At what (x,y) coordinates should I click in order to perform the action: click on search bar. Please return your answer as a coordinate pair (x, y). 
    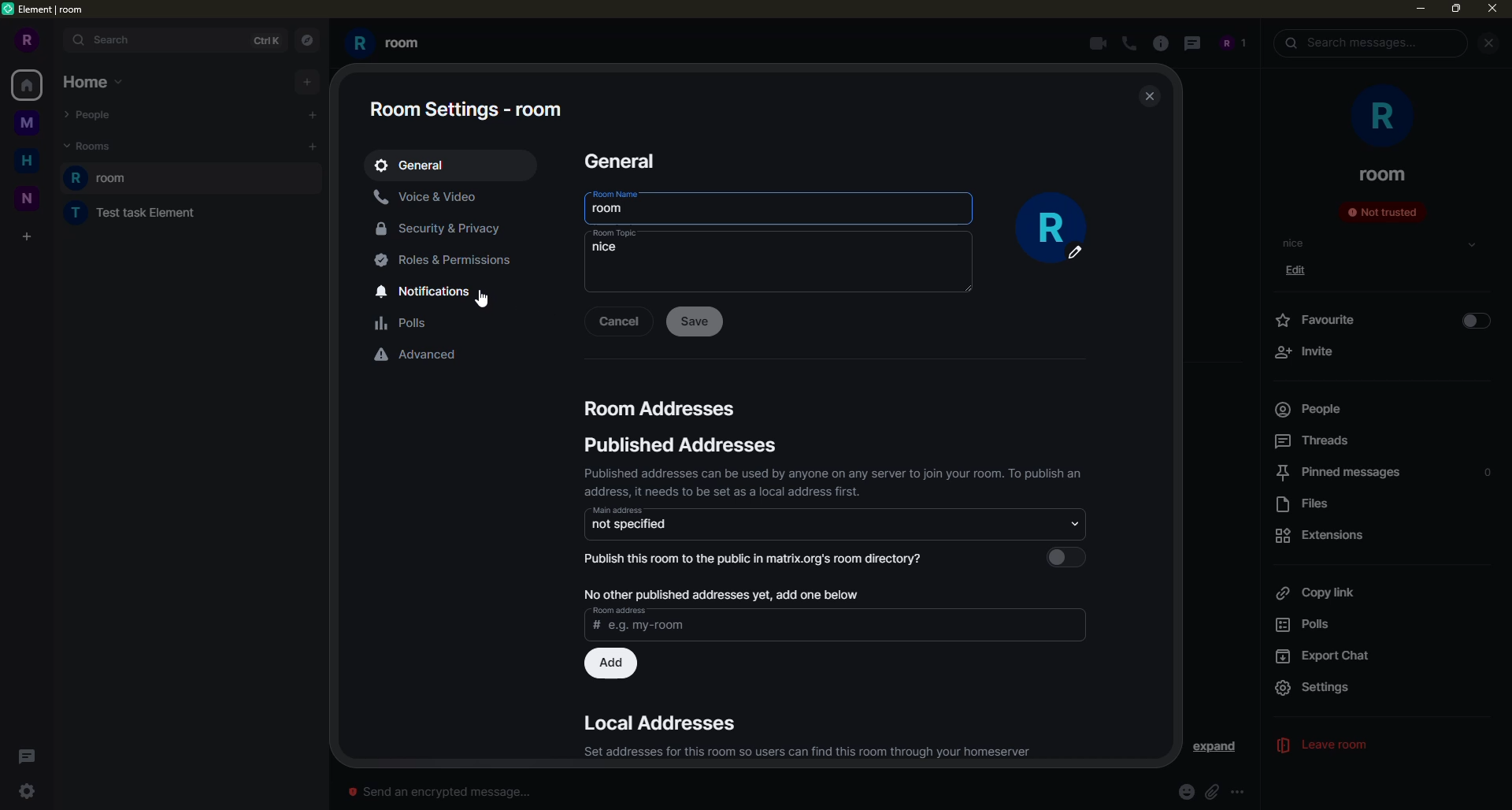
    Looking at the image, I should click on (174, 40).